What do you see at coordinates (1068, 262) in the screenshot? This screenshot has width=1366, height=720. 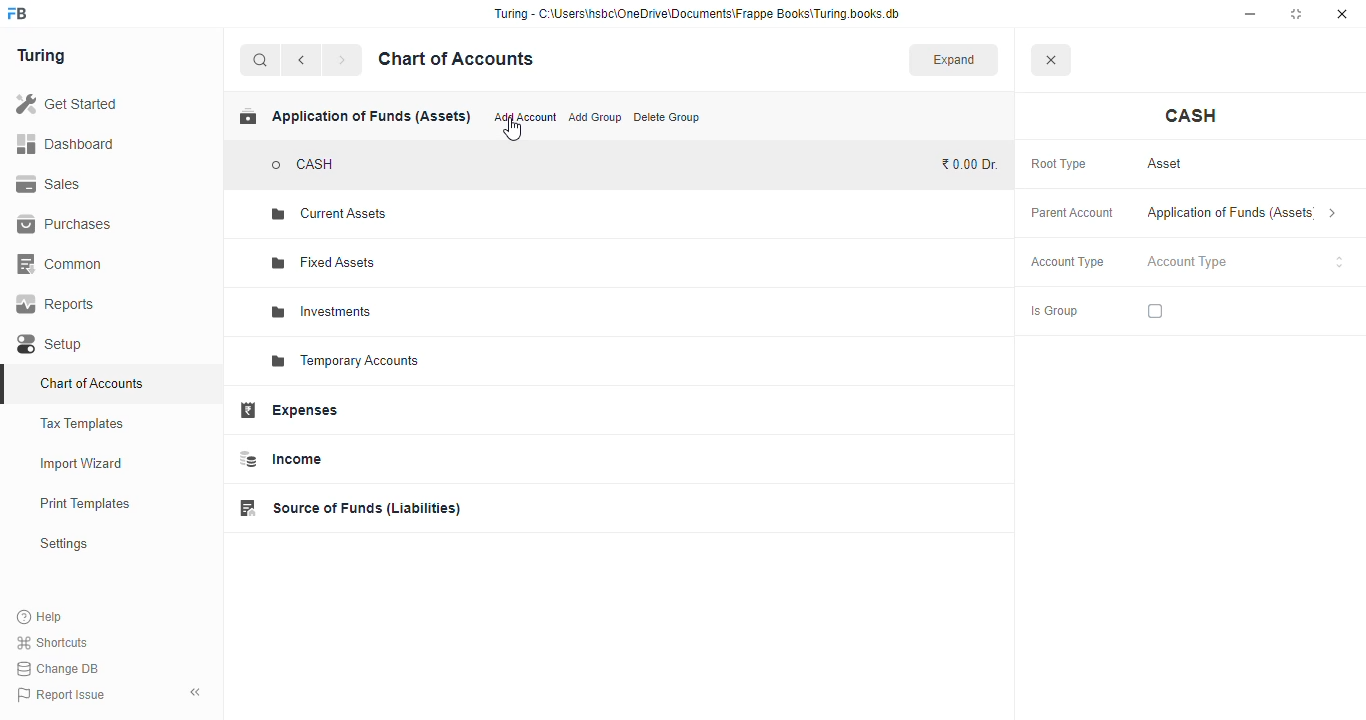 I see `account type` at bounding box center [1068, 262].